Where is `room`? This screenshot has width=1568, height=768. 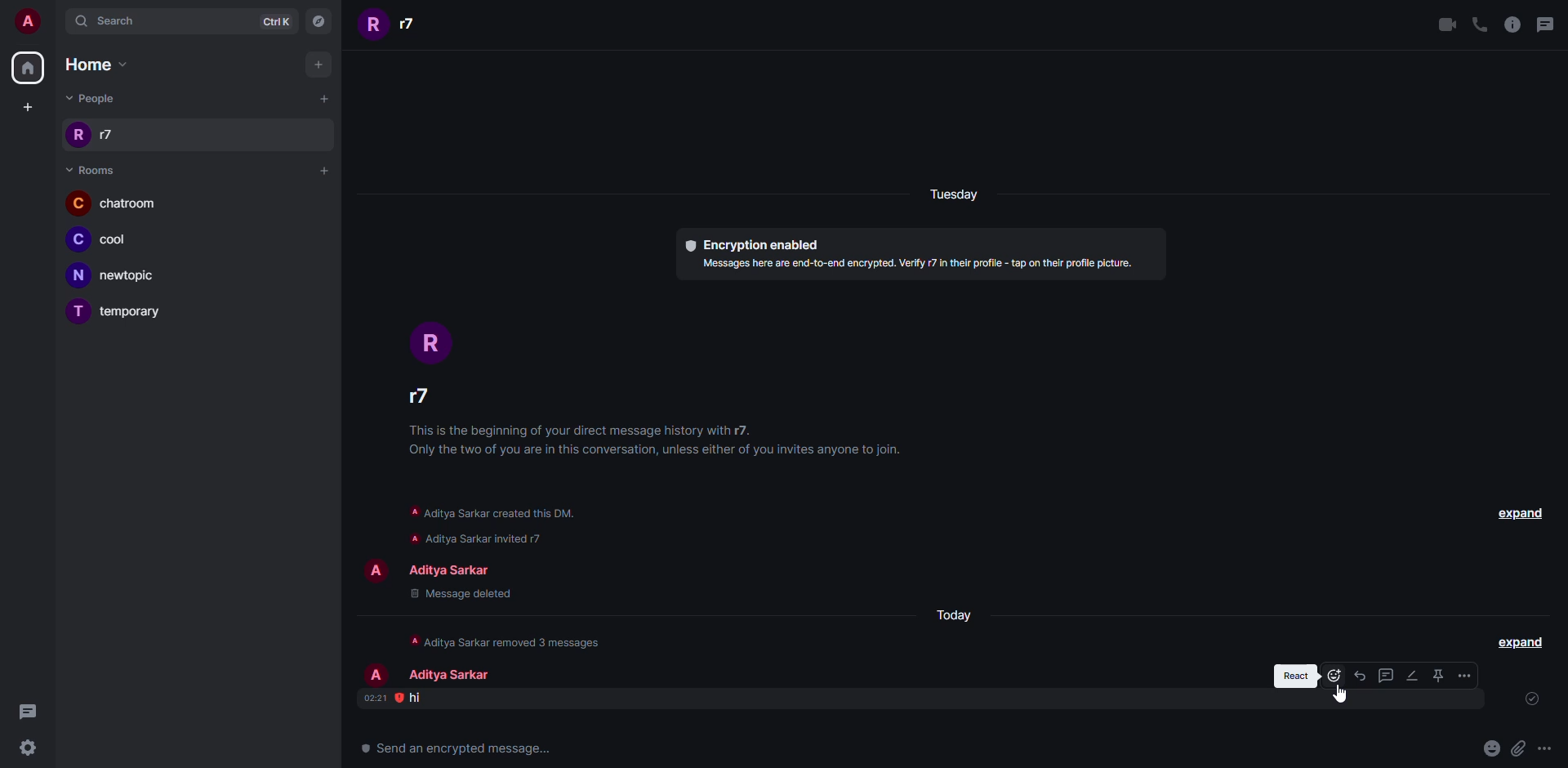
room is located at coordinates (91, 169).